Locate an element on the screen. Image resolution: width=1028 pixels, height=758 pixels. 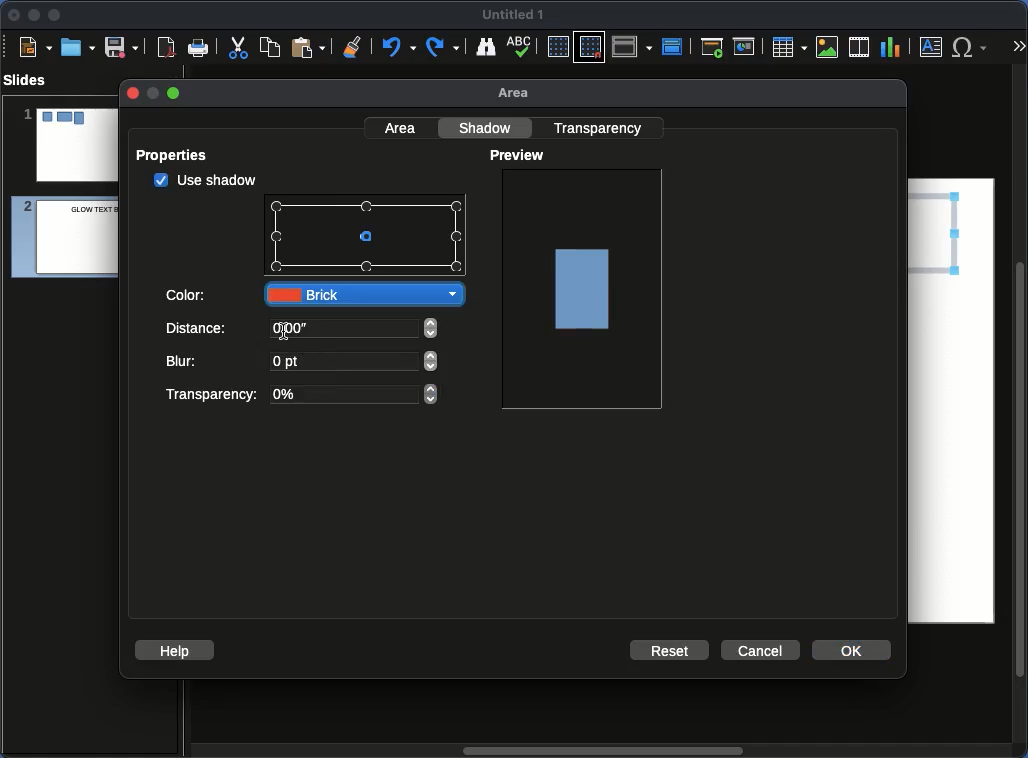
Undo is located at coordinates (397, 47).